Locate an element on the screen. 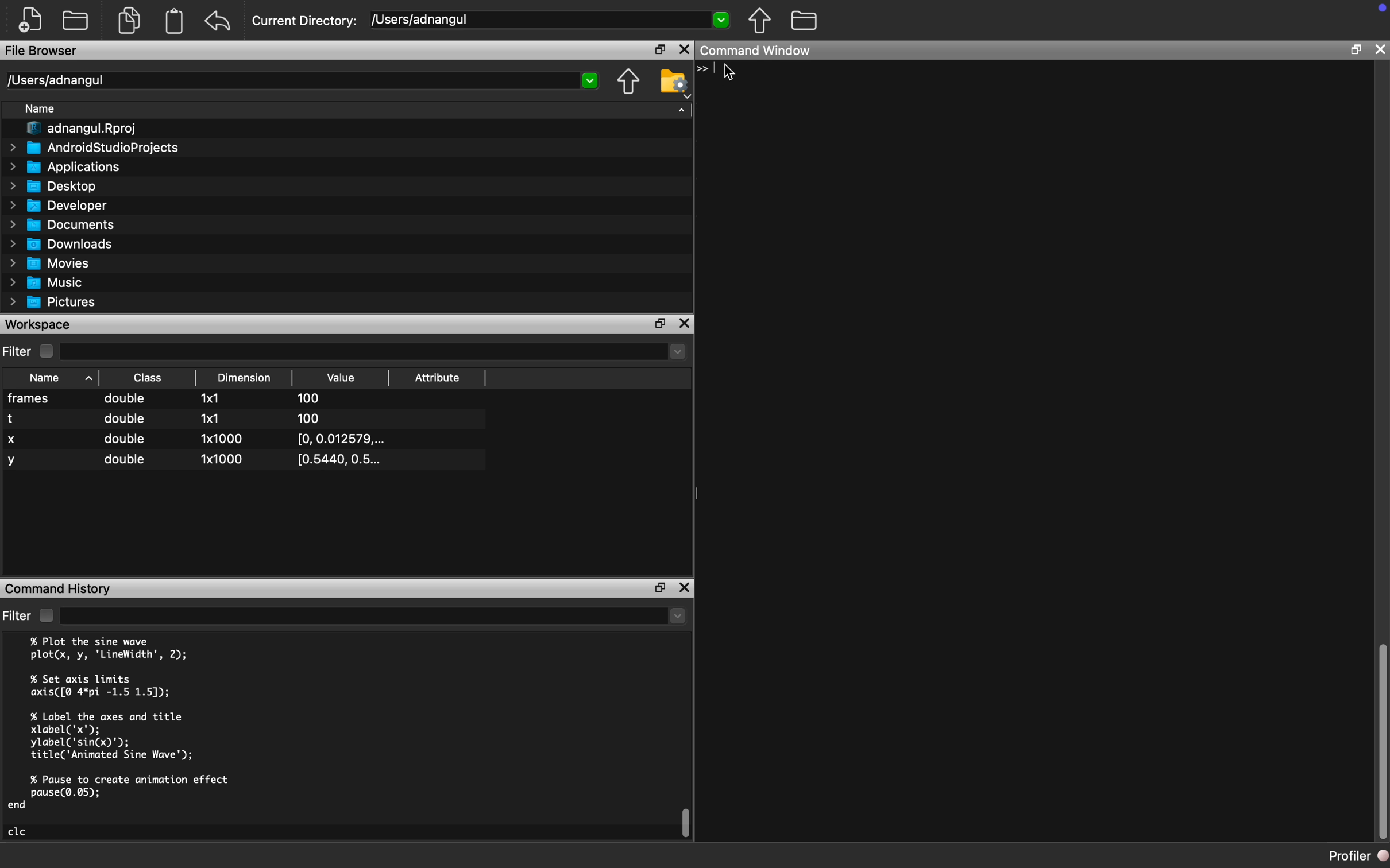 The image size is (1390, 868). /[Users/adnangul  is located at coordinates (551, 19).